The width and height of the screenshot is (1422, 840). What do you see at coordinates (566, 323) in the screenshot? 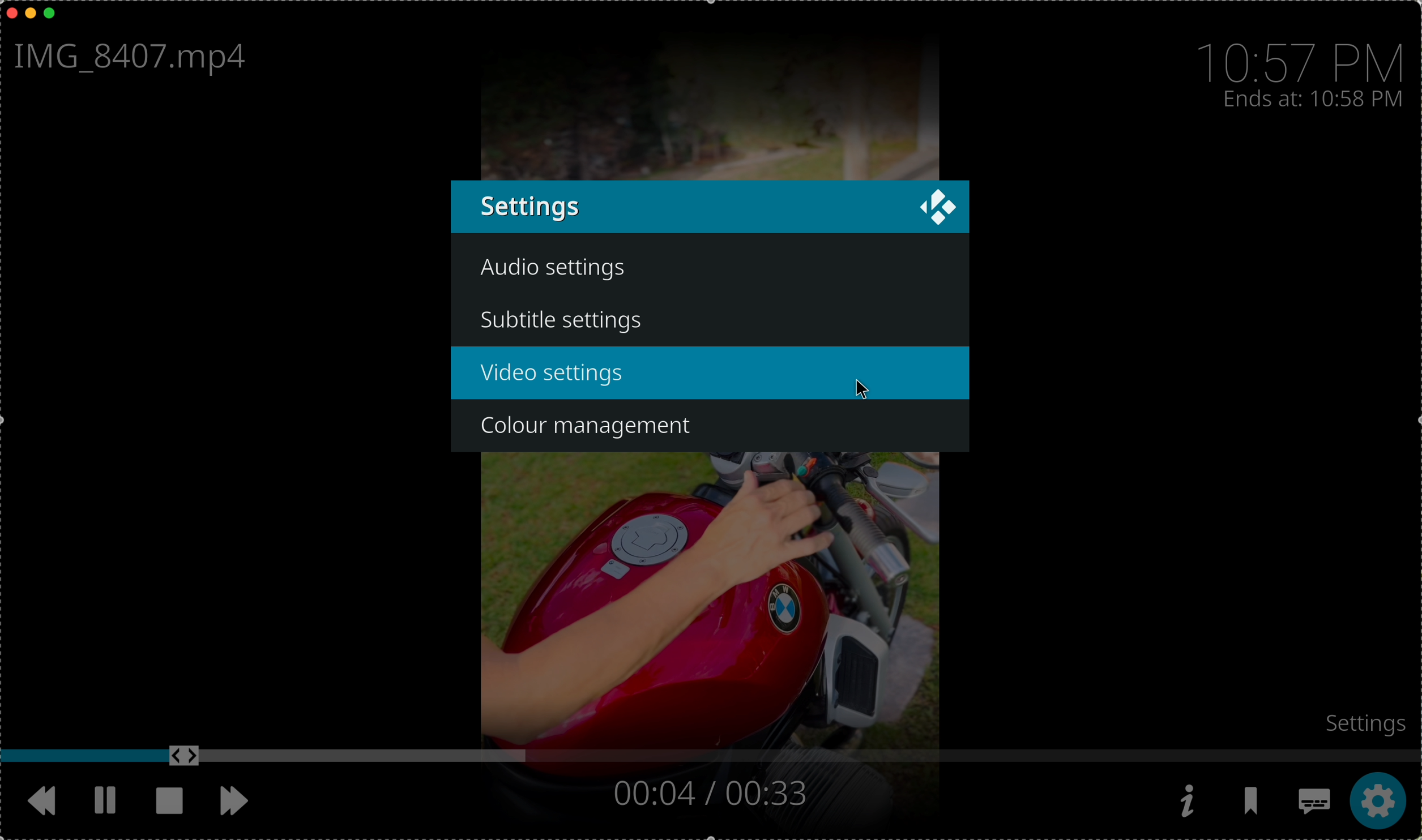
I see `subtitle settings` at bounding box center [566, 323].